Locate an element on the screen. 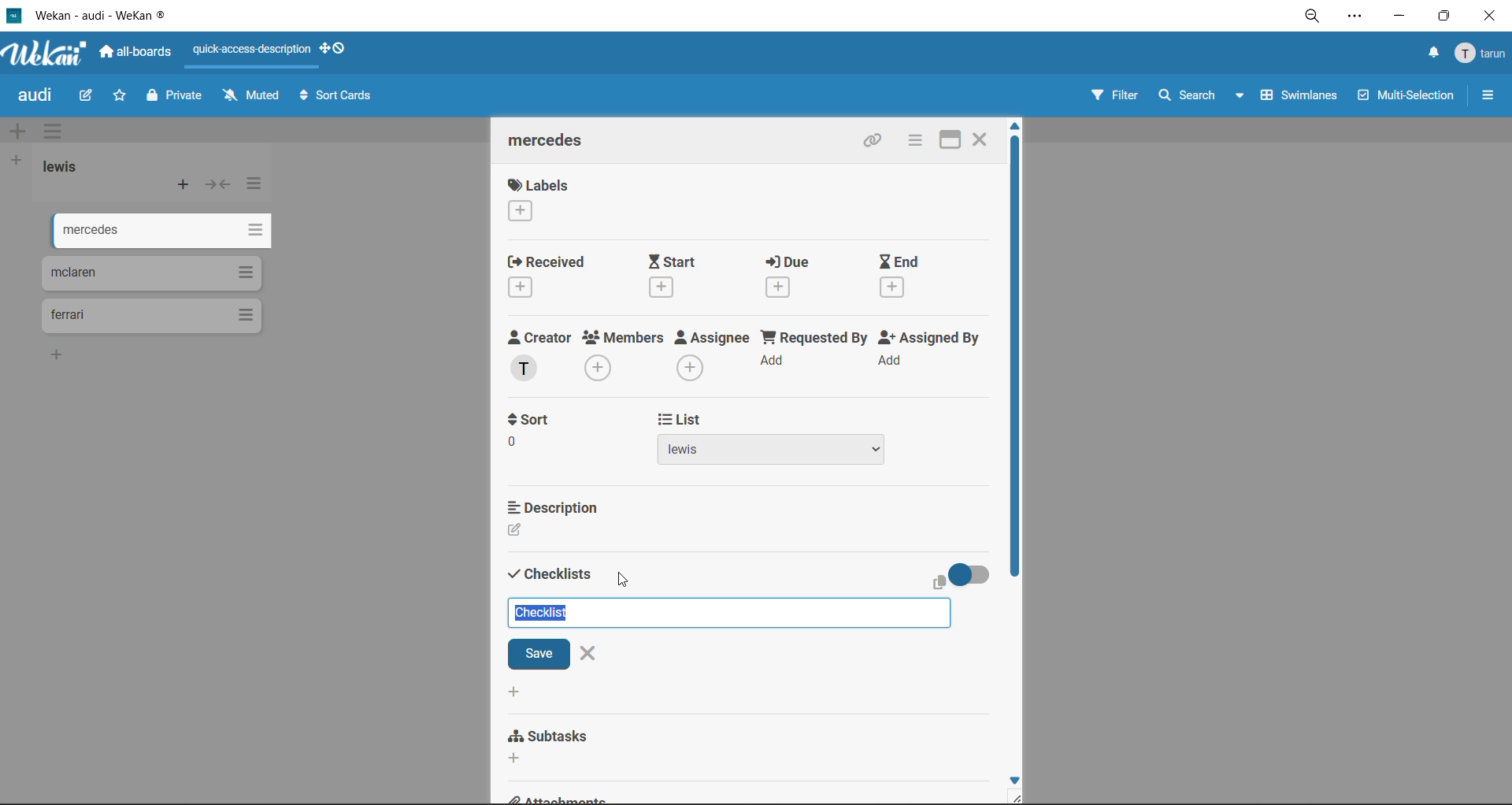 The image size is (1512, 805). members is located at coordinates (624, 355).